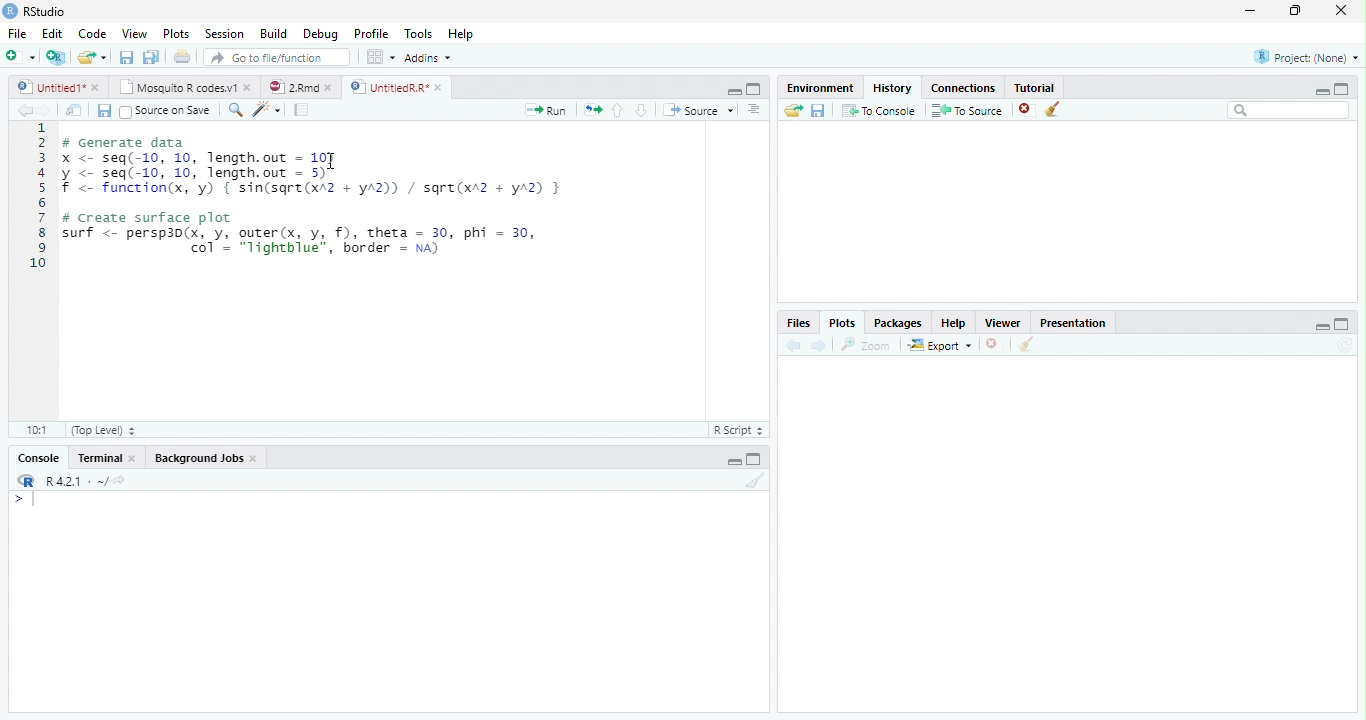 This screenshot has height=720, width=1366. Describe the element at coordinates (320, 33) in the screenshot. I see `Debug` at that location.